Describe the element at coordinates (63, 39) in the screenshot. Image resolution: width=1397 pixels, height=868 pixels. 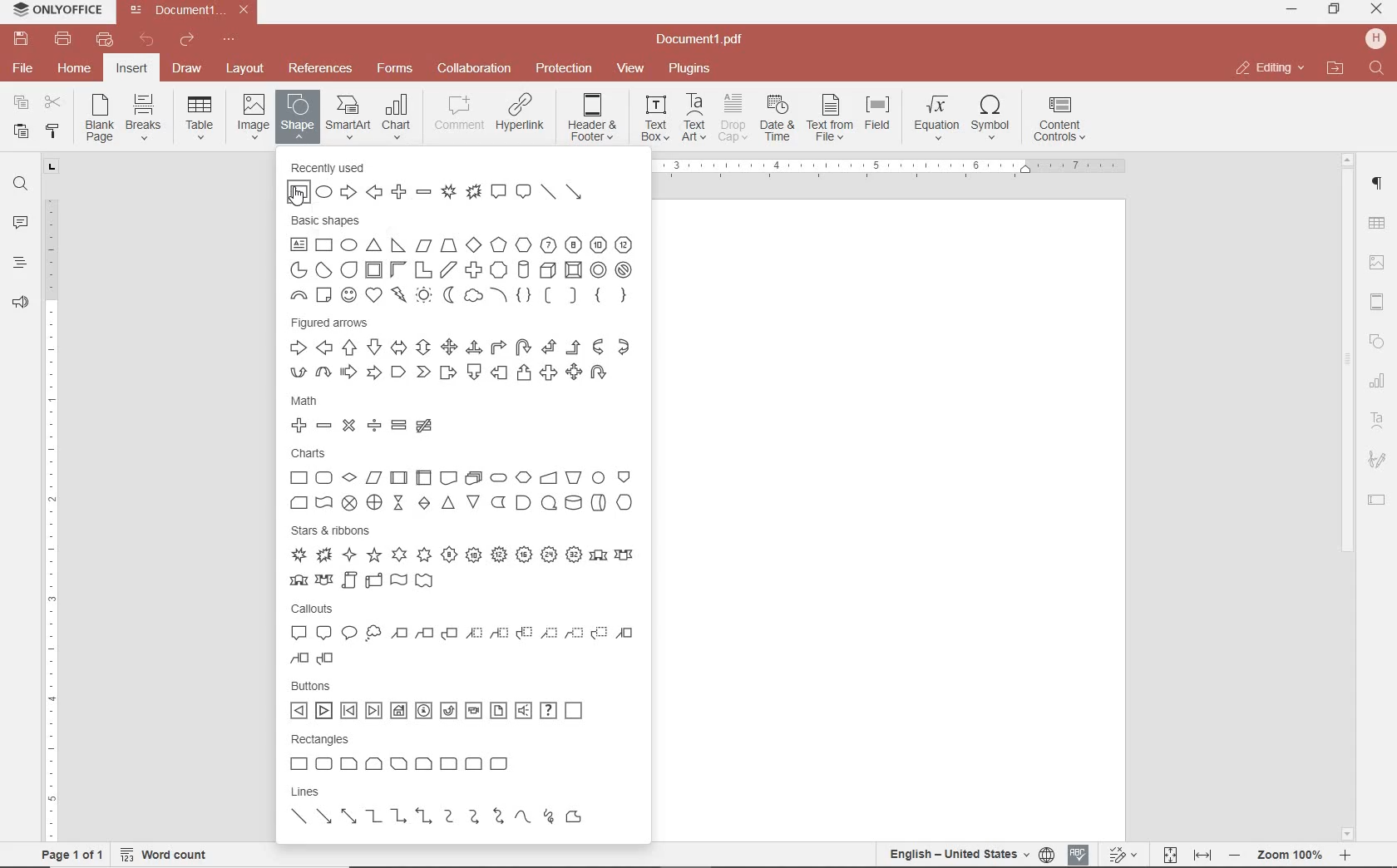
I see `print file` at that location.